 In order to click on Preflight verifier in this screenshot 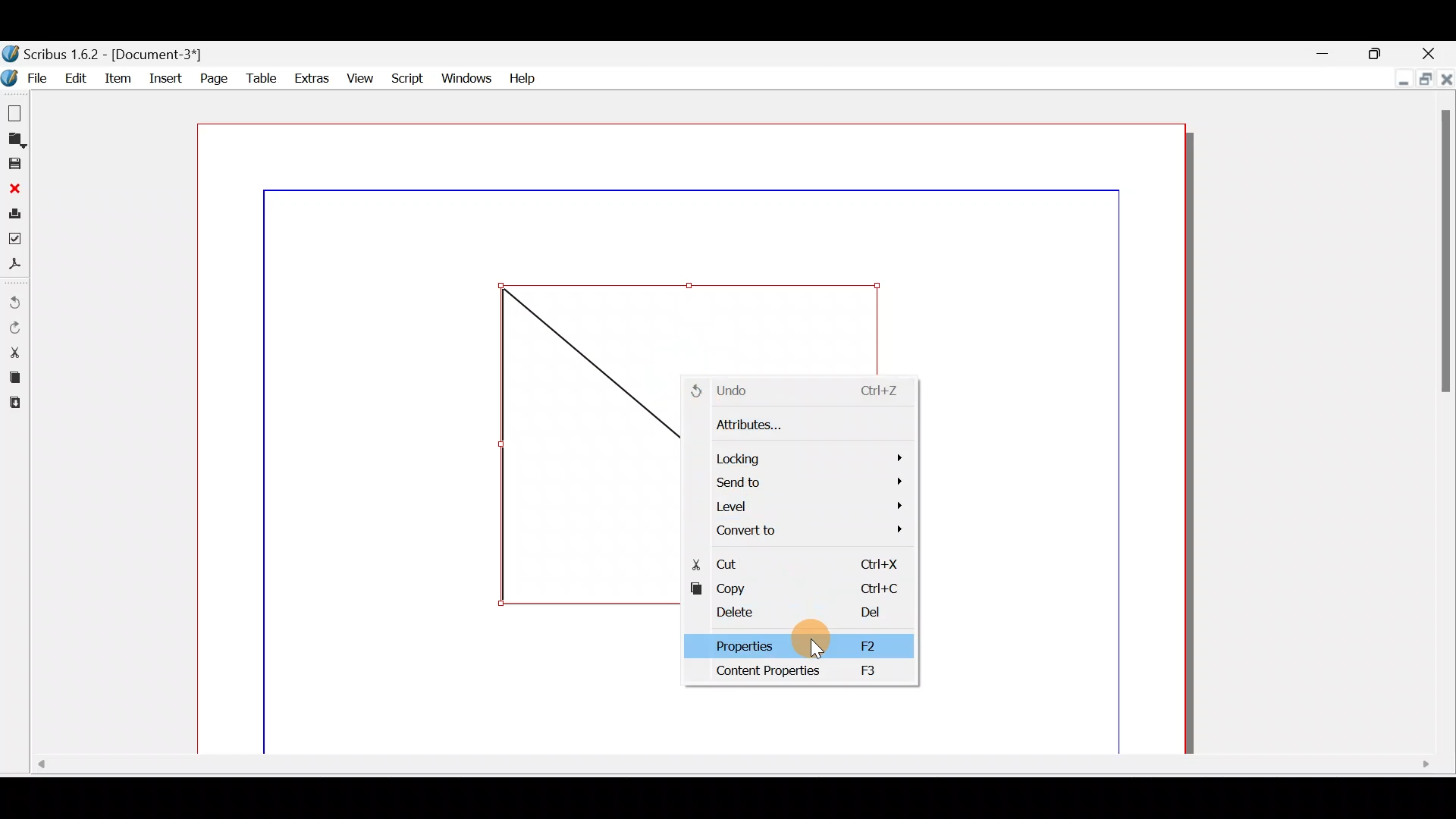, I will do `click(18, 237)`.